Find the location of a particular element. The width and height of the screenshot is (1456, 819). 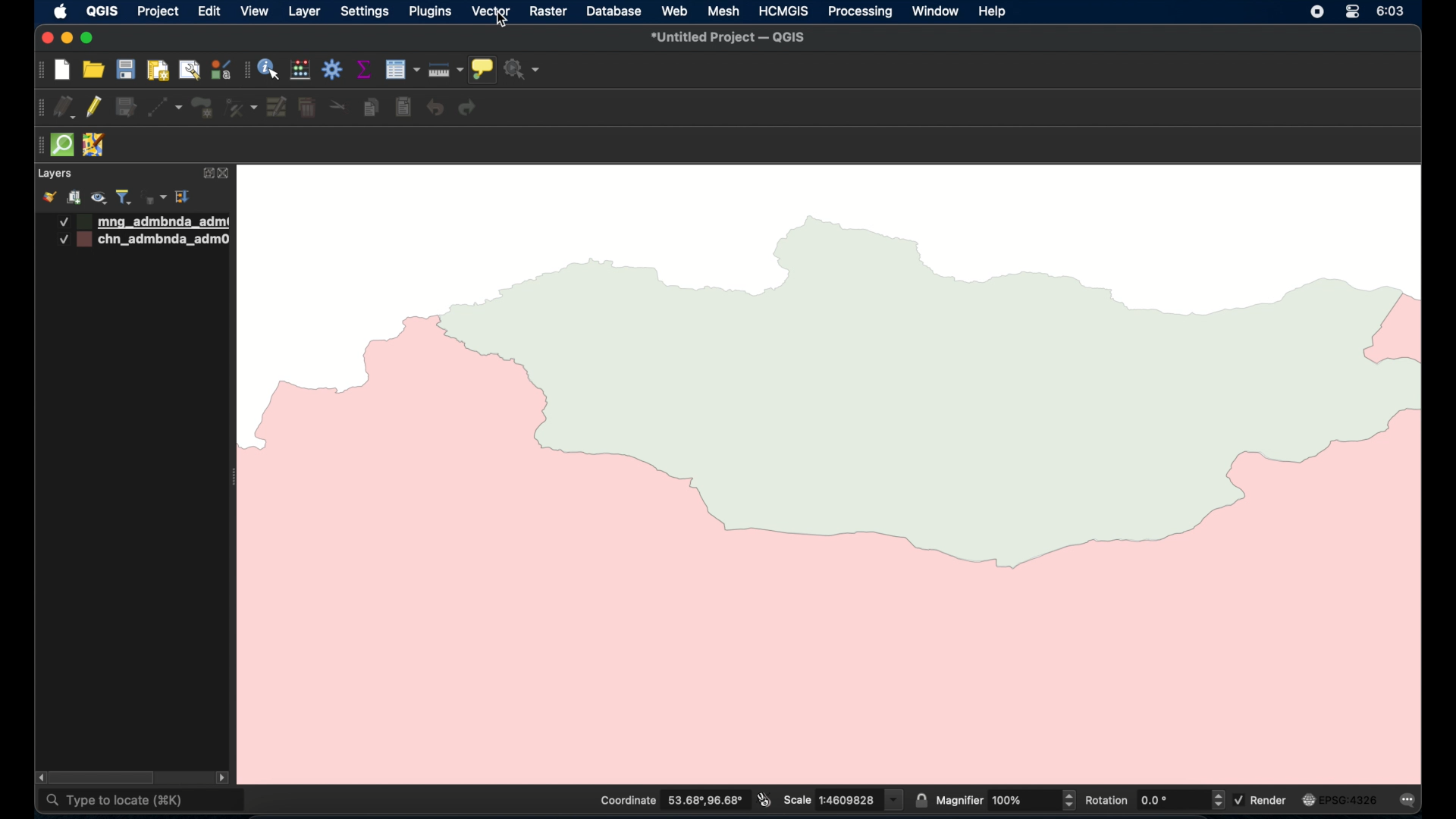

open project is located at coordinates (92, 69).